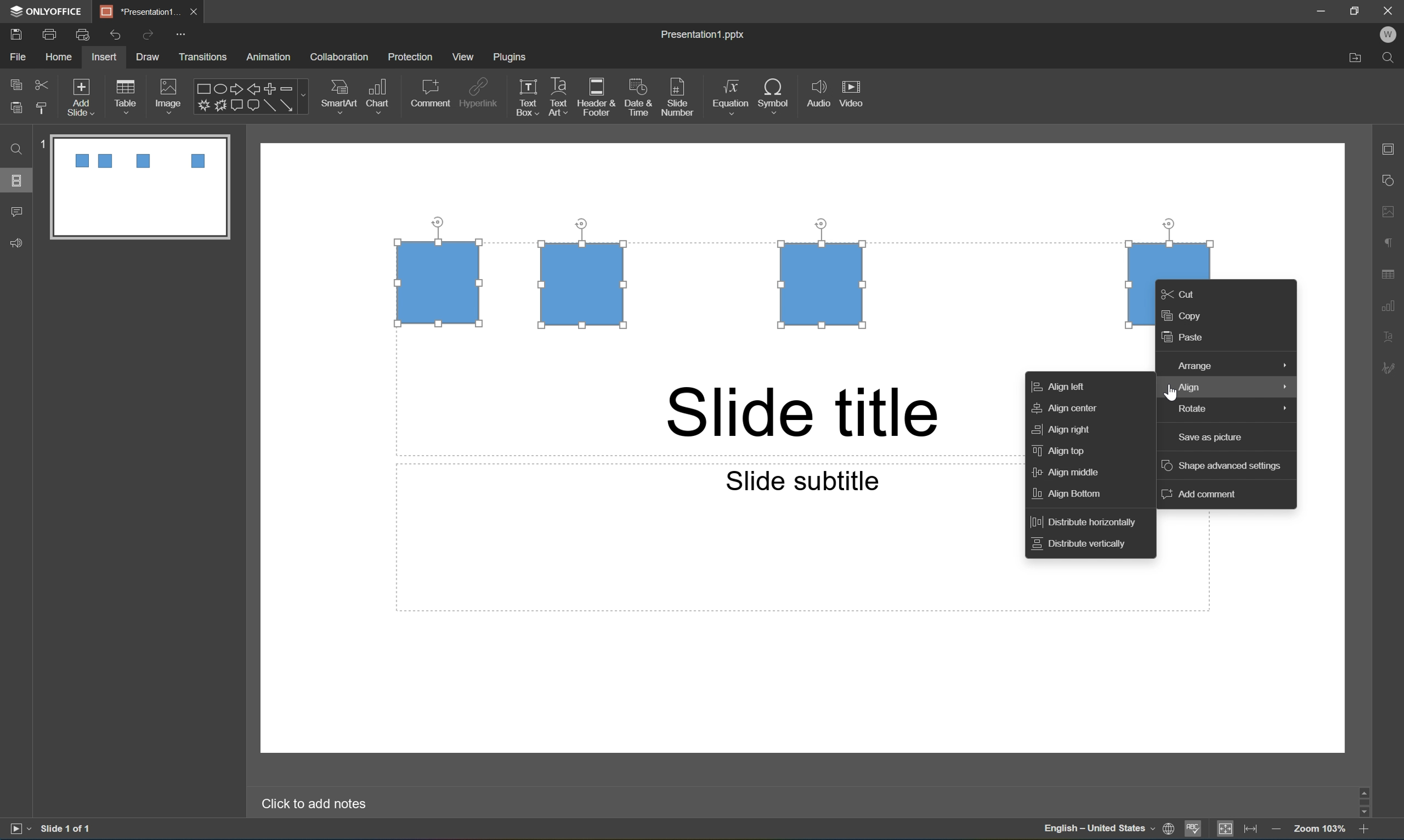 This screenshot has height=840, width=1404. Describe the element at coordinates (19, 181) in the screenshot. I see `slides` at that location.